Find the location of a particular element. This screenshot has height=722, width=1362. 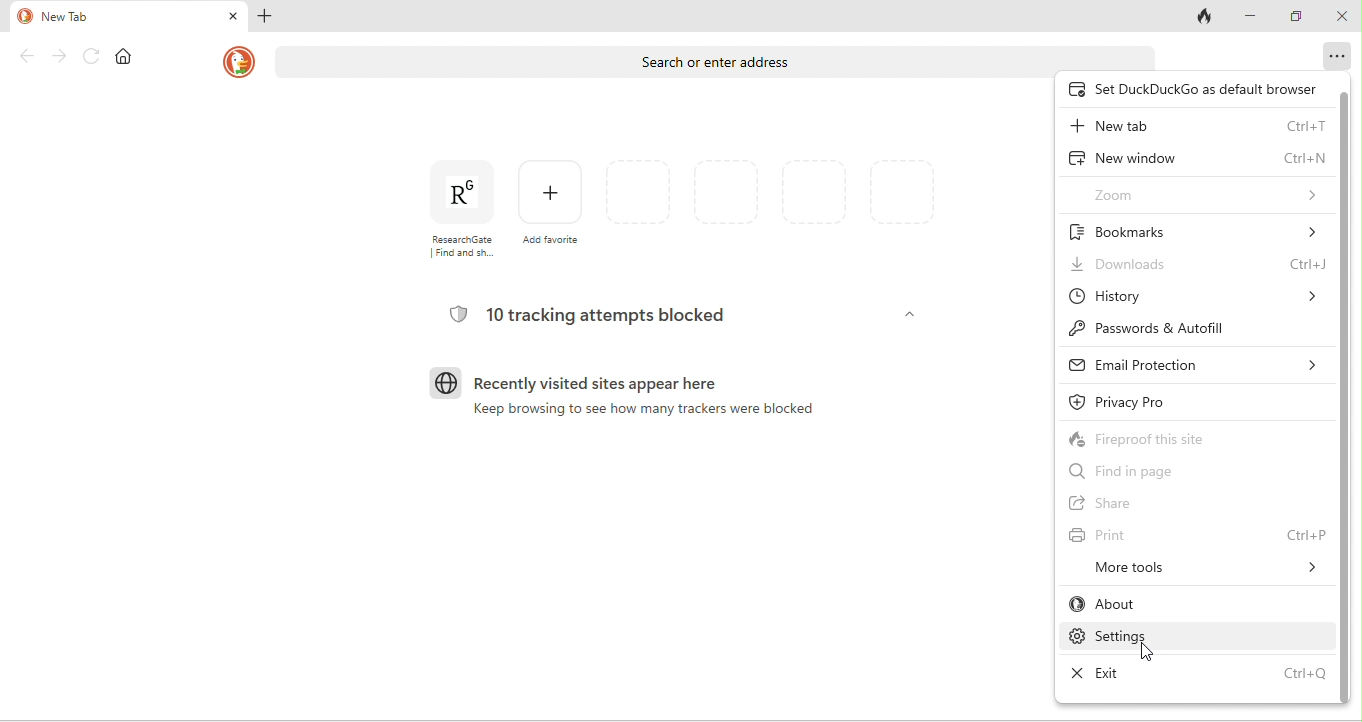

research gate [find and s is located at coordinates (465, 214).